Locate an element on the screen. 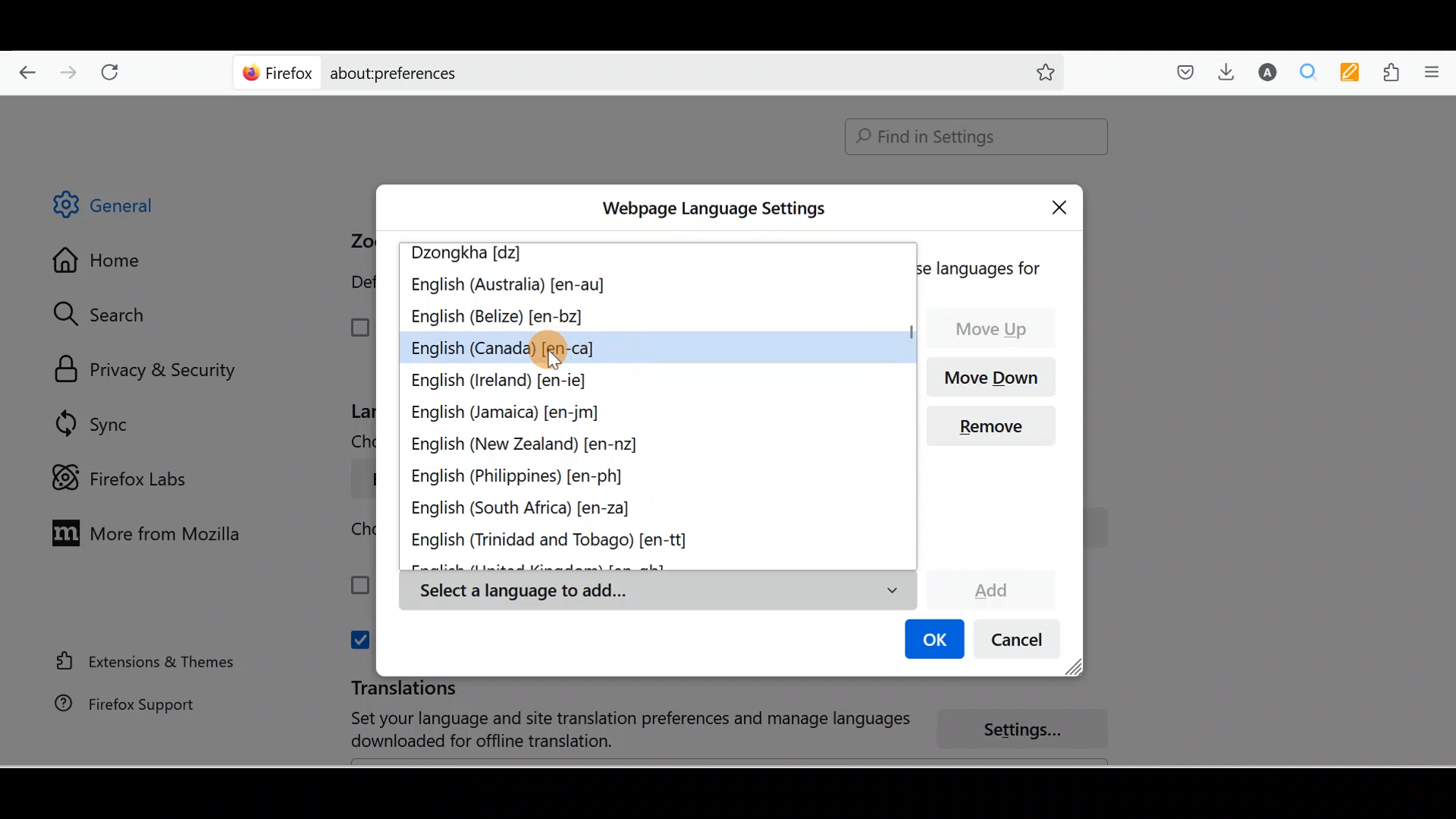  Multiple search & highlight is located at coordinates (1309, 71).